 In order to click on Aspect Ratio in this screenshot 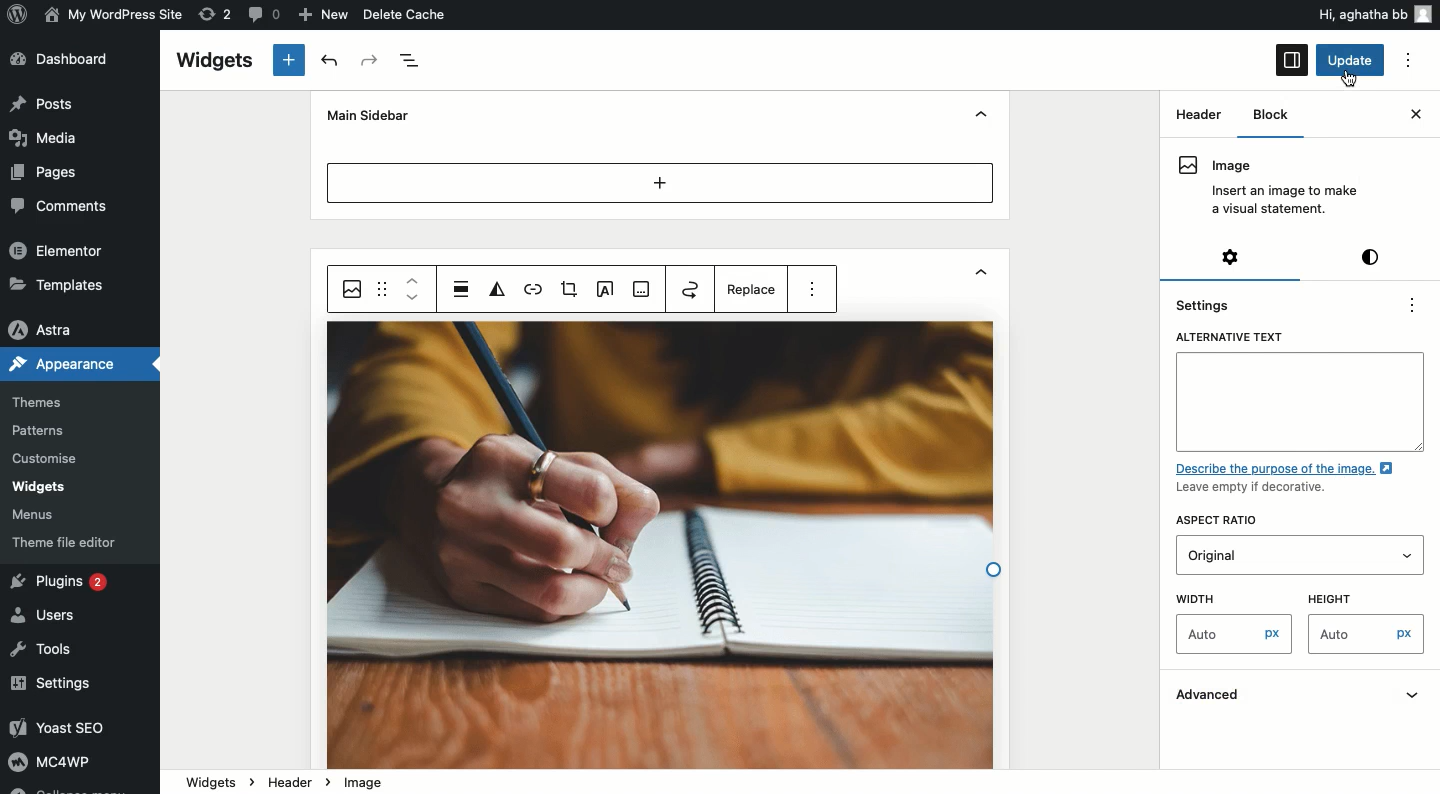, I will do `click(1223, 521)`.